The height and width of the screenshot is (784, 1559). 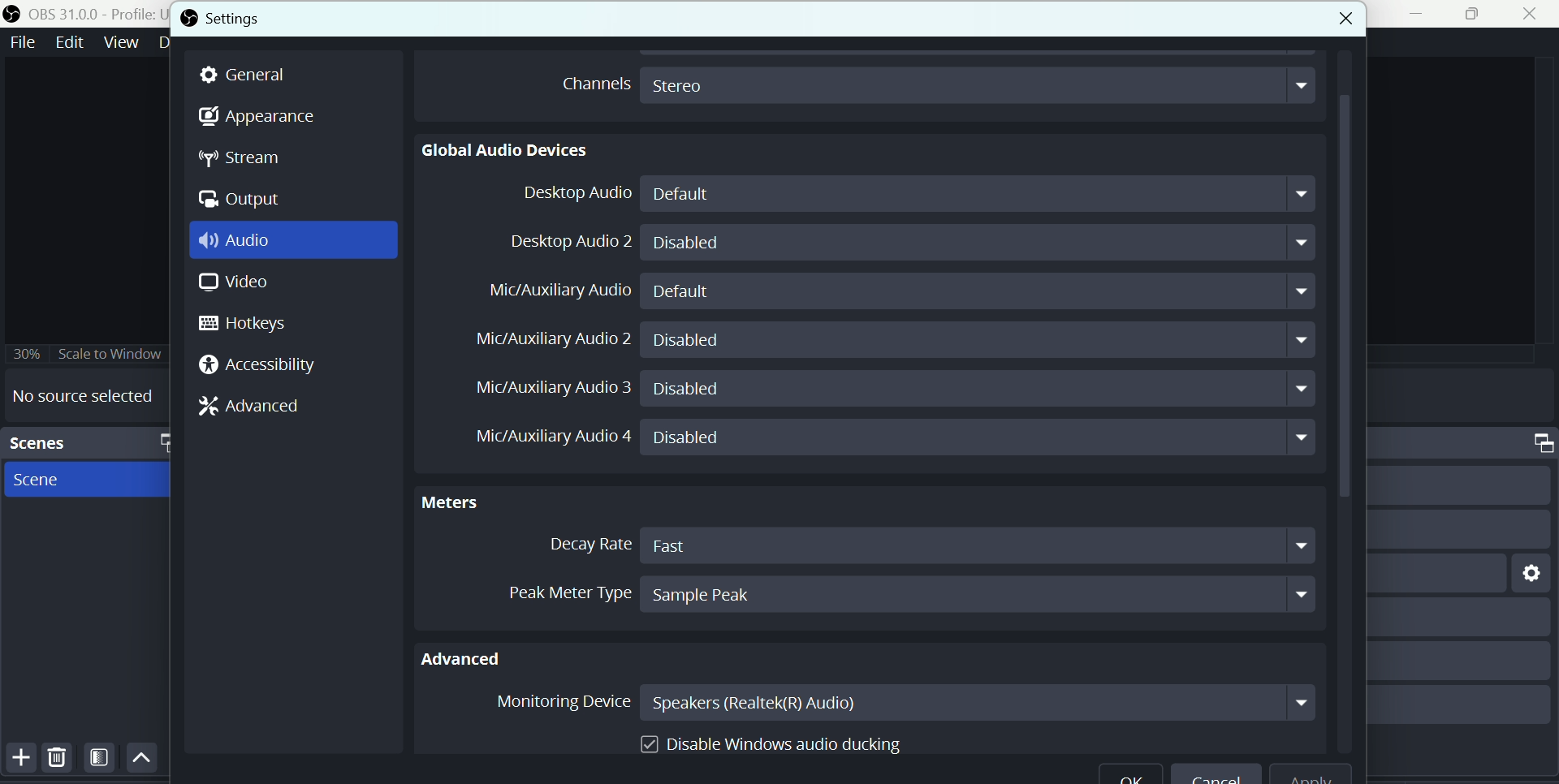 What do you see at coordinates (979, 84) in the screenshot?
I see `Stereo` at bounding box center [979, 84].